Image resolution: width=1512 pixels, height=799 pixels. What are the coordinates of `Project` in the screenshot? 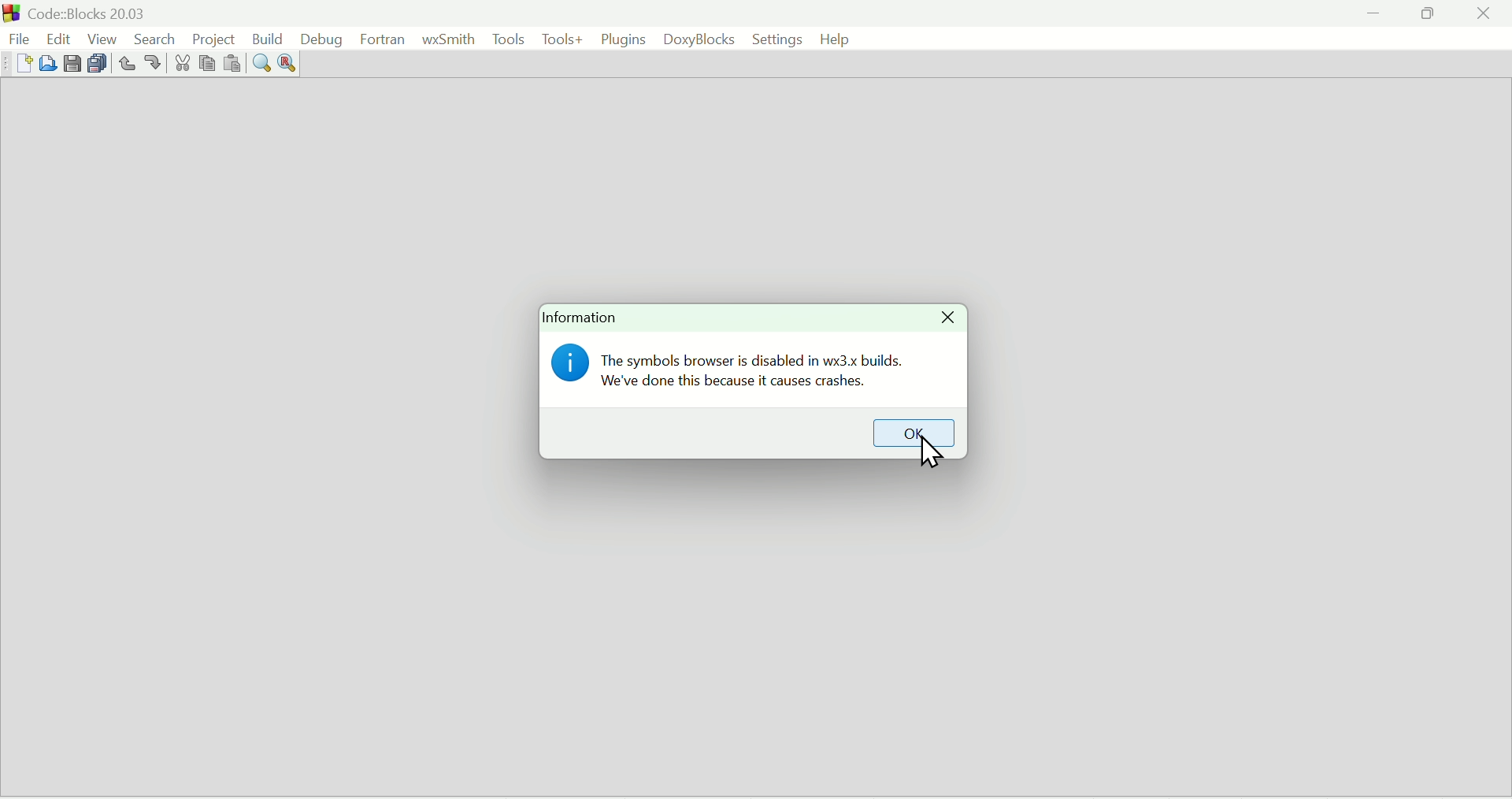 It's located at (210, 37).